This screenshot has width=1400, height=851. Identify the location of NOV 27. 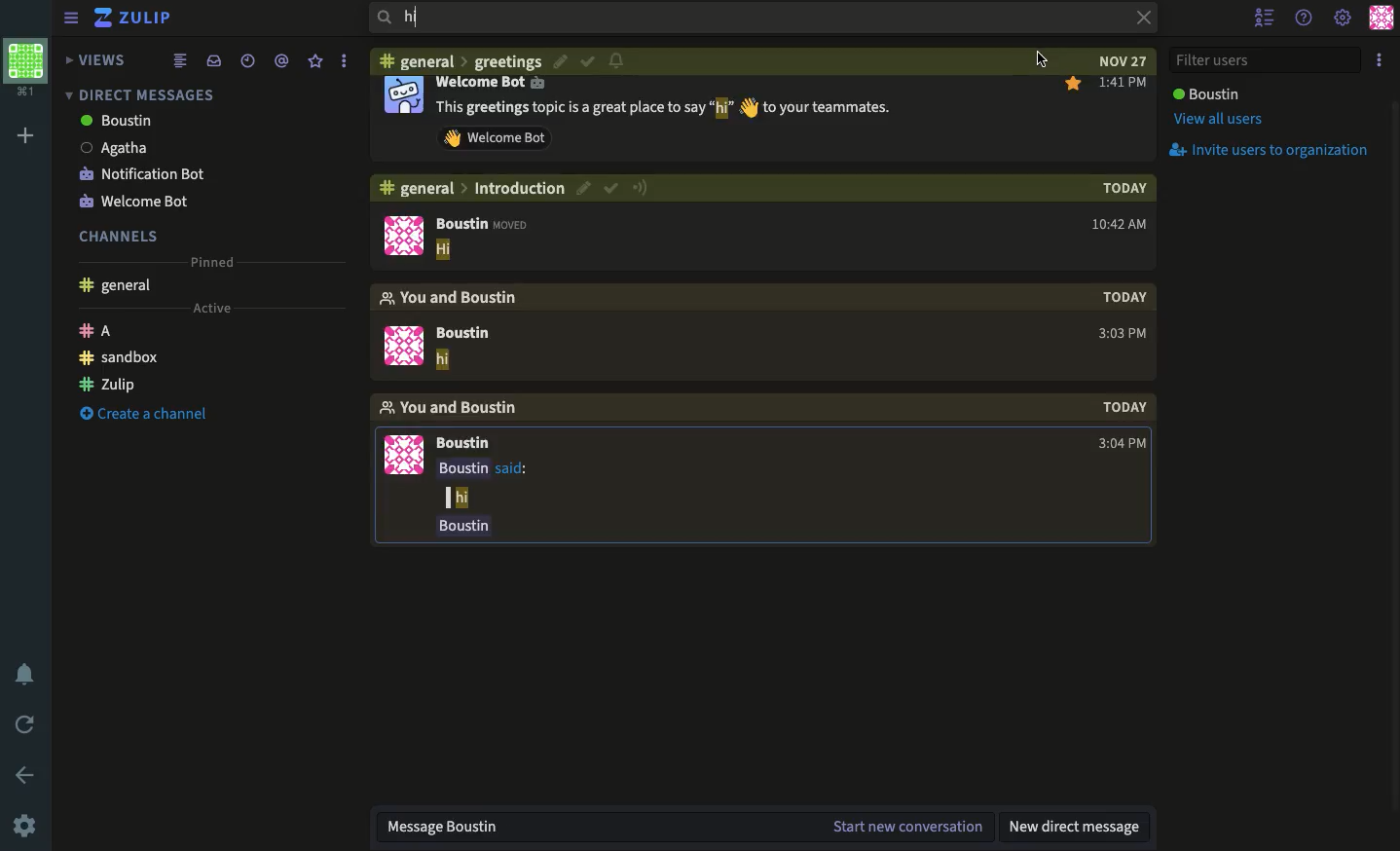
(1117, 60).